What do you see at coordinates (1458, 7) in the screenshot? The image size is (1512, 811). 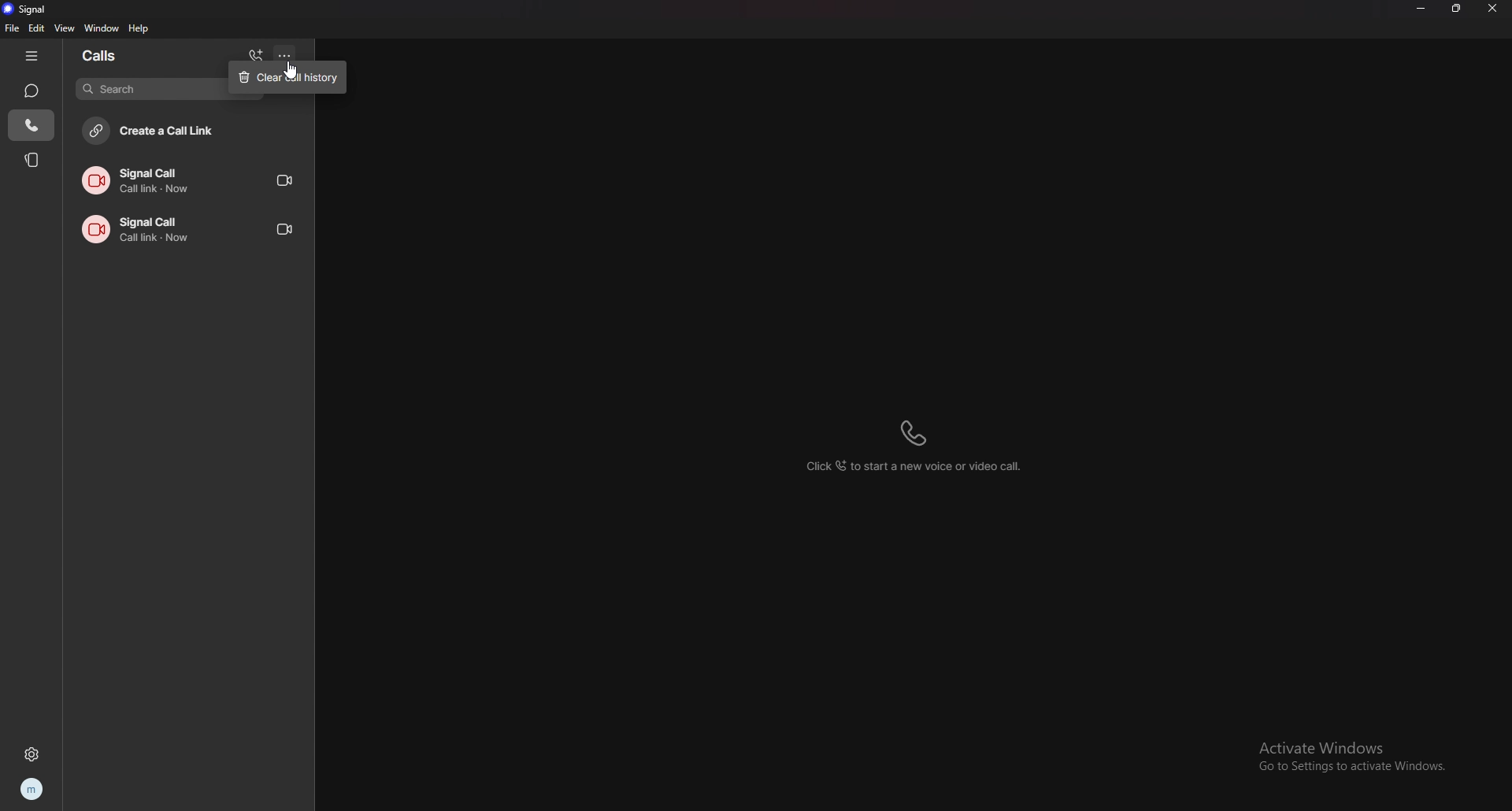 I see `resize` at bounding box center [1458, 7].